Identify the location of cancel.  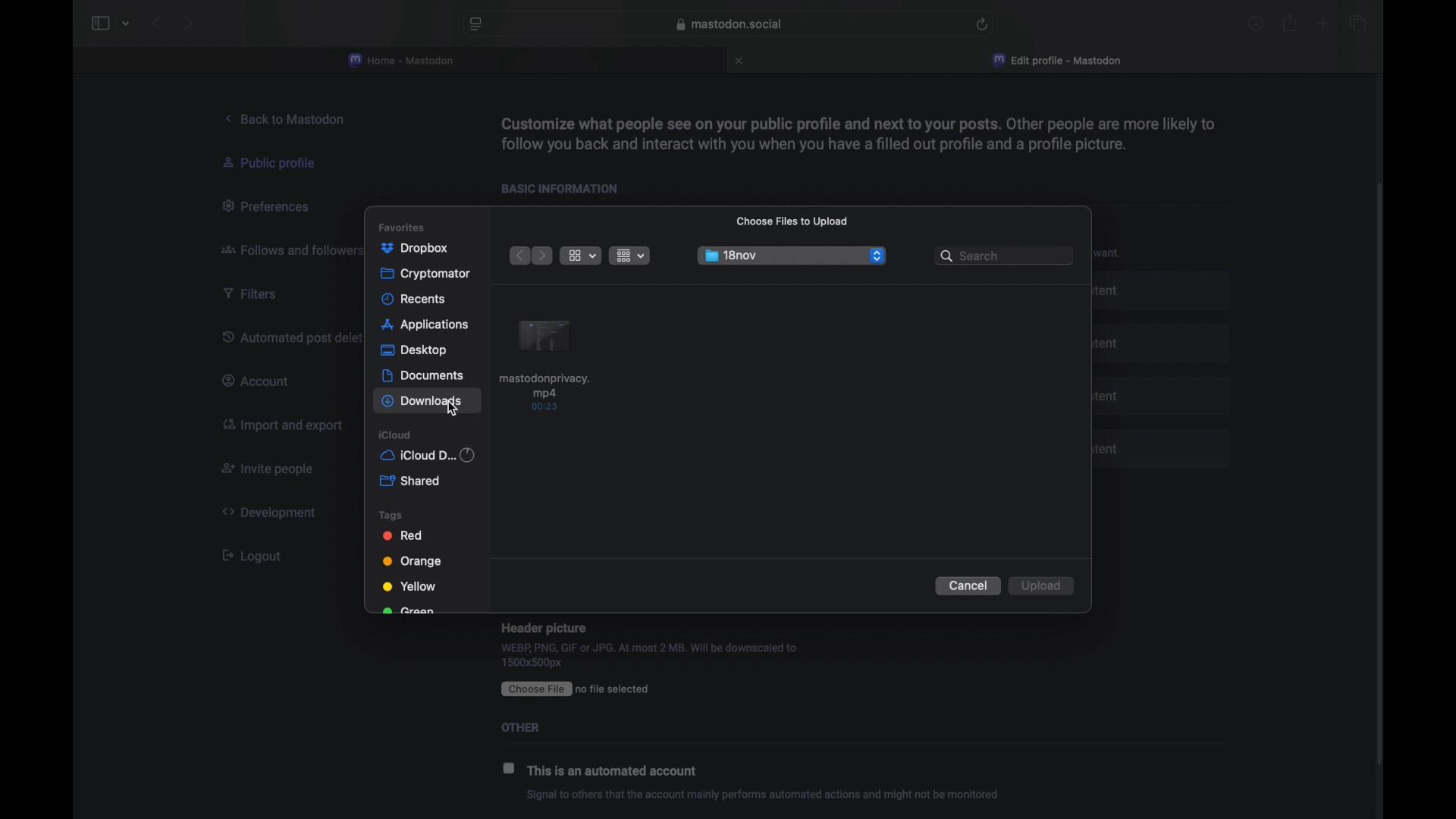
(966, 585).